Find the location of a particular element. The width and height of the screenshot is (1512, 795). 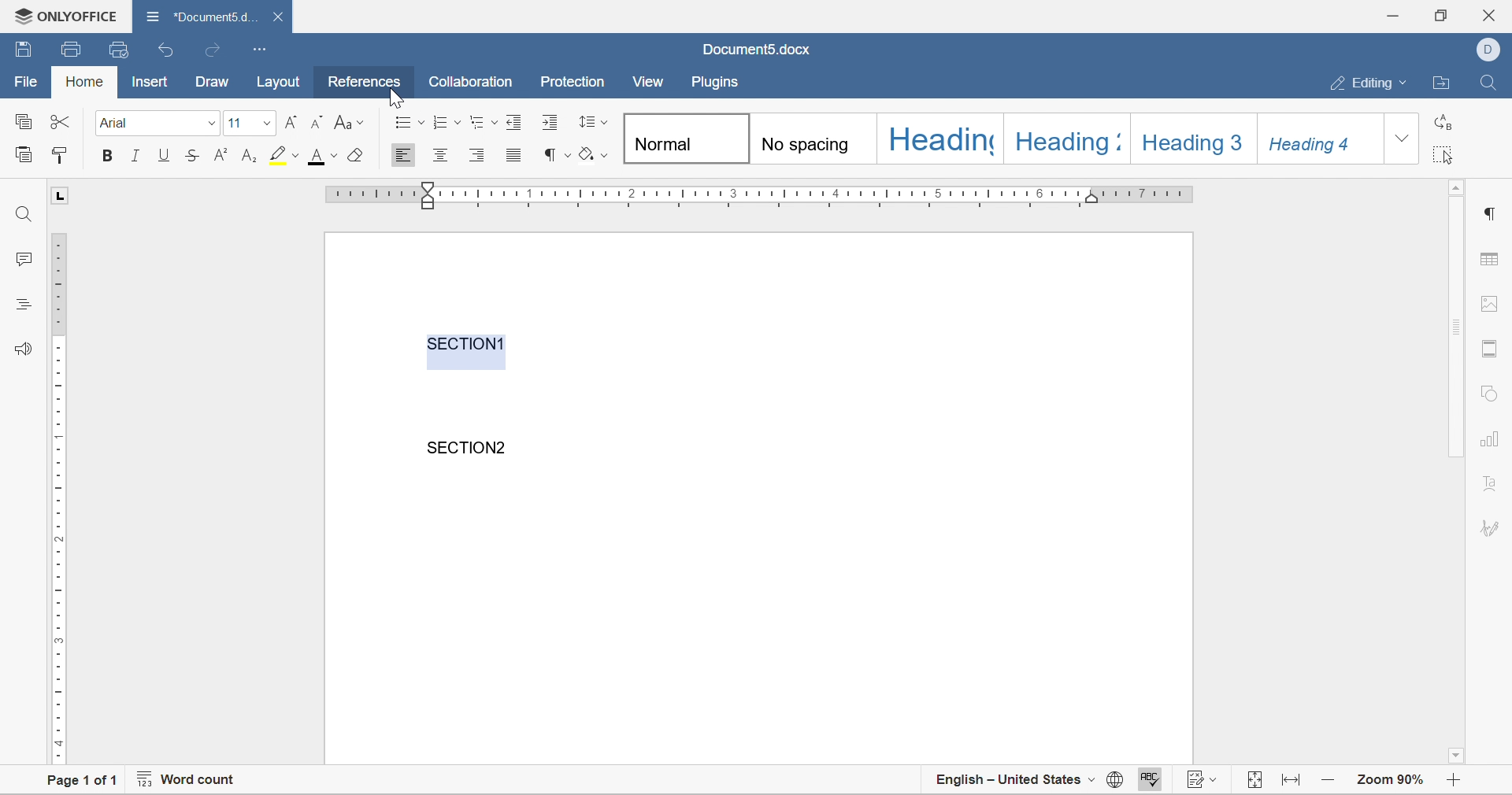

page 1 of 1 is located at coordinates (76, 782).